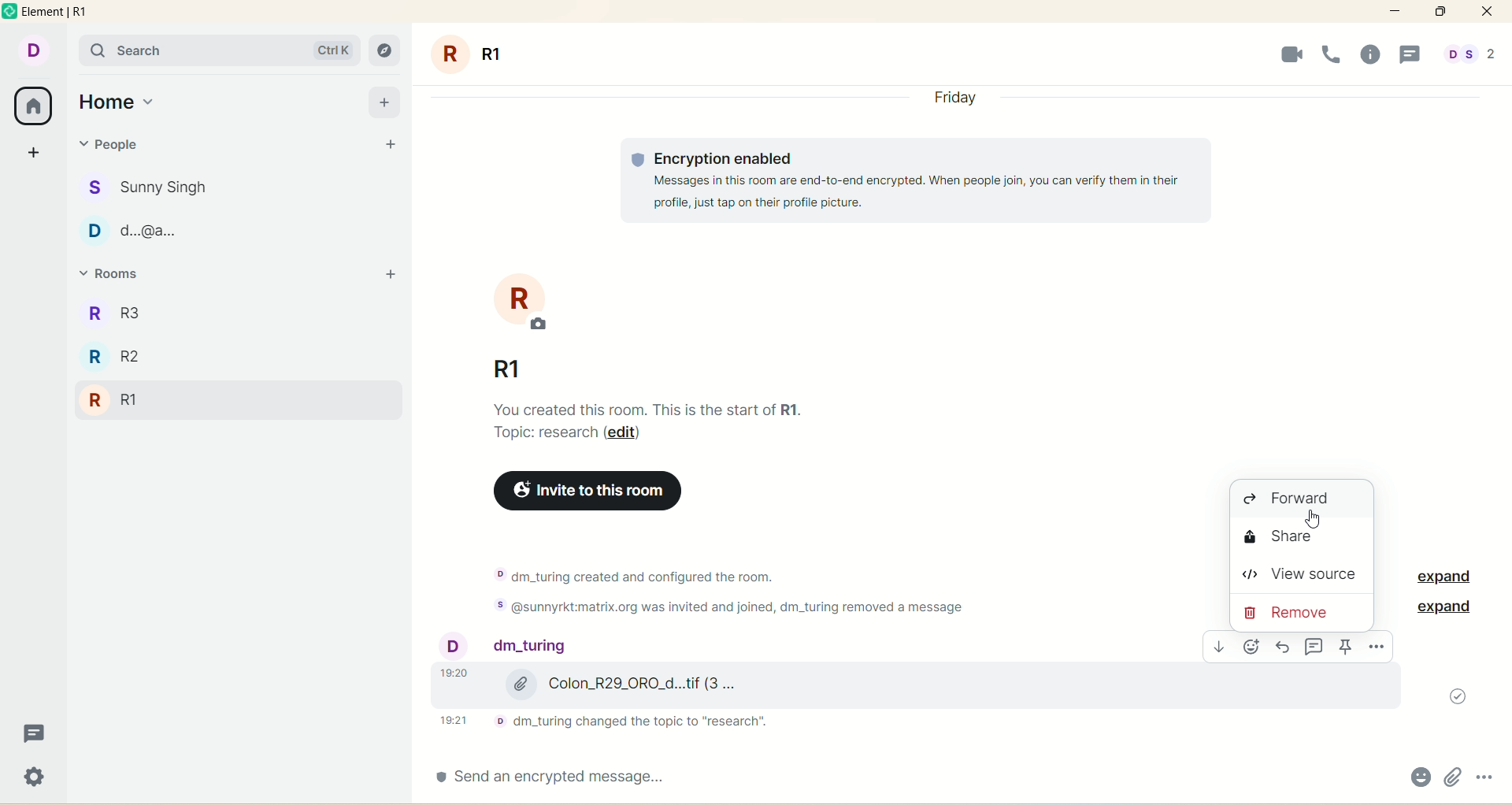  What do you see at coordinates (1302, 576) in the screenshot?
I see `view source` at bounding box center [1302, 576].